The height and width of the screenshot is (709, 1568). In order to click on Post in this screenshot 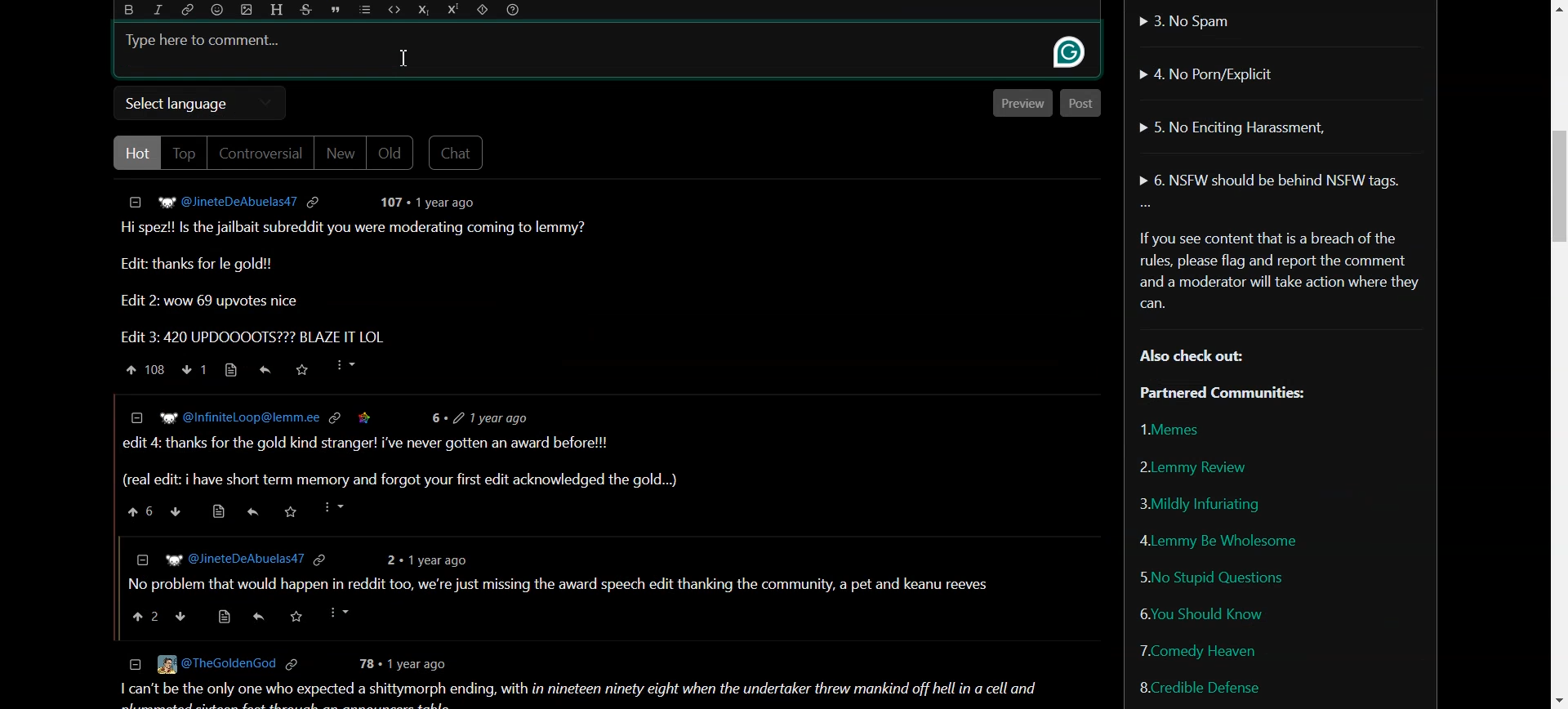, I will do `click(1082, 103)`.